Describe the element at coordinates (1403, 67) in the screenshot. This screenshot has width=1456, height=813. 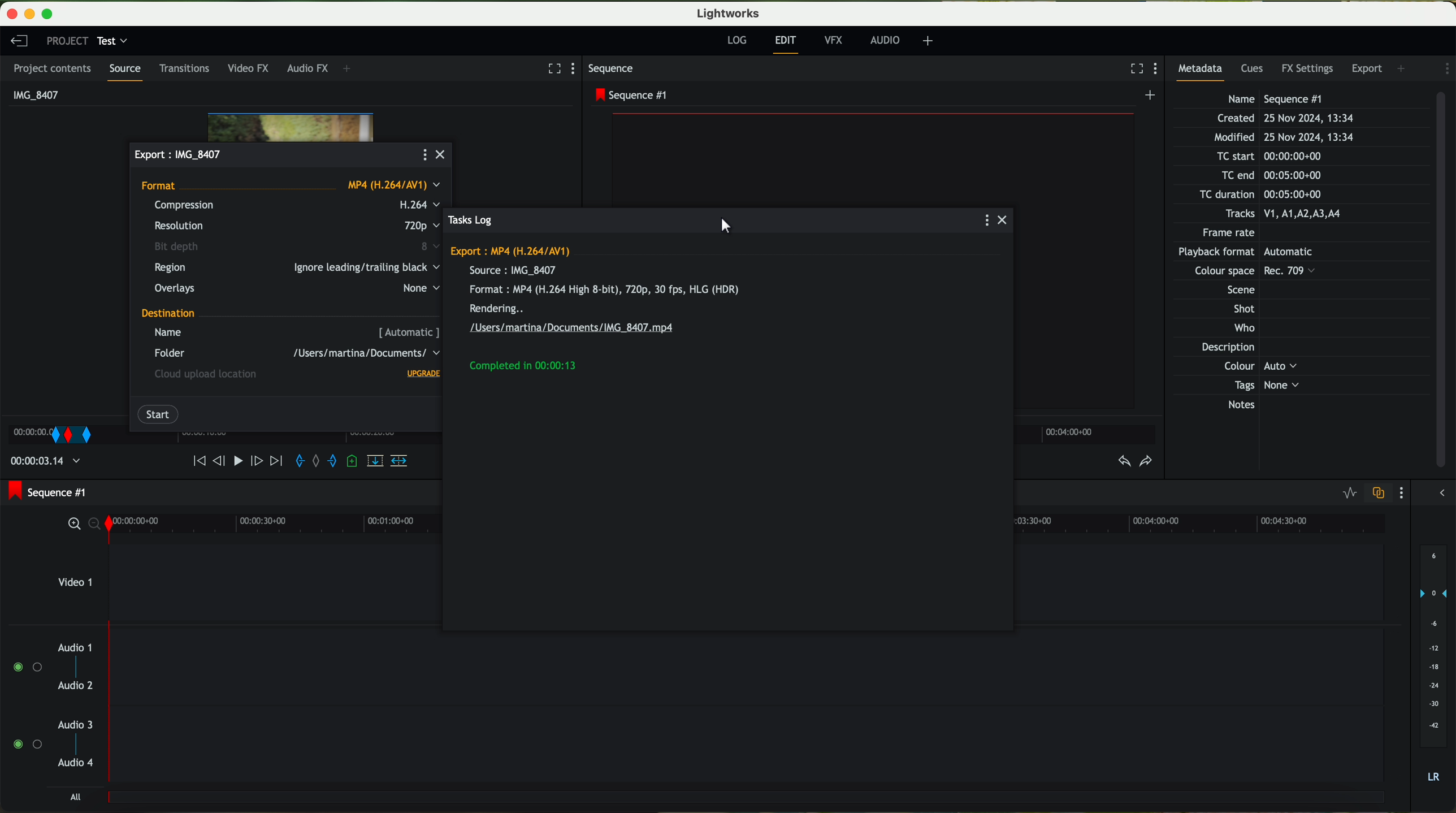
I see `add panel` at that location.